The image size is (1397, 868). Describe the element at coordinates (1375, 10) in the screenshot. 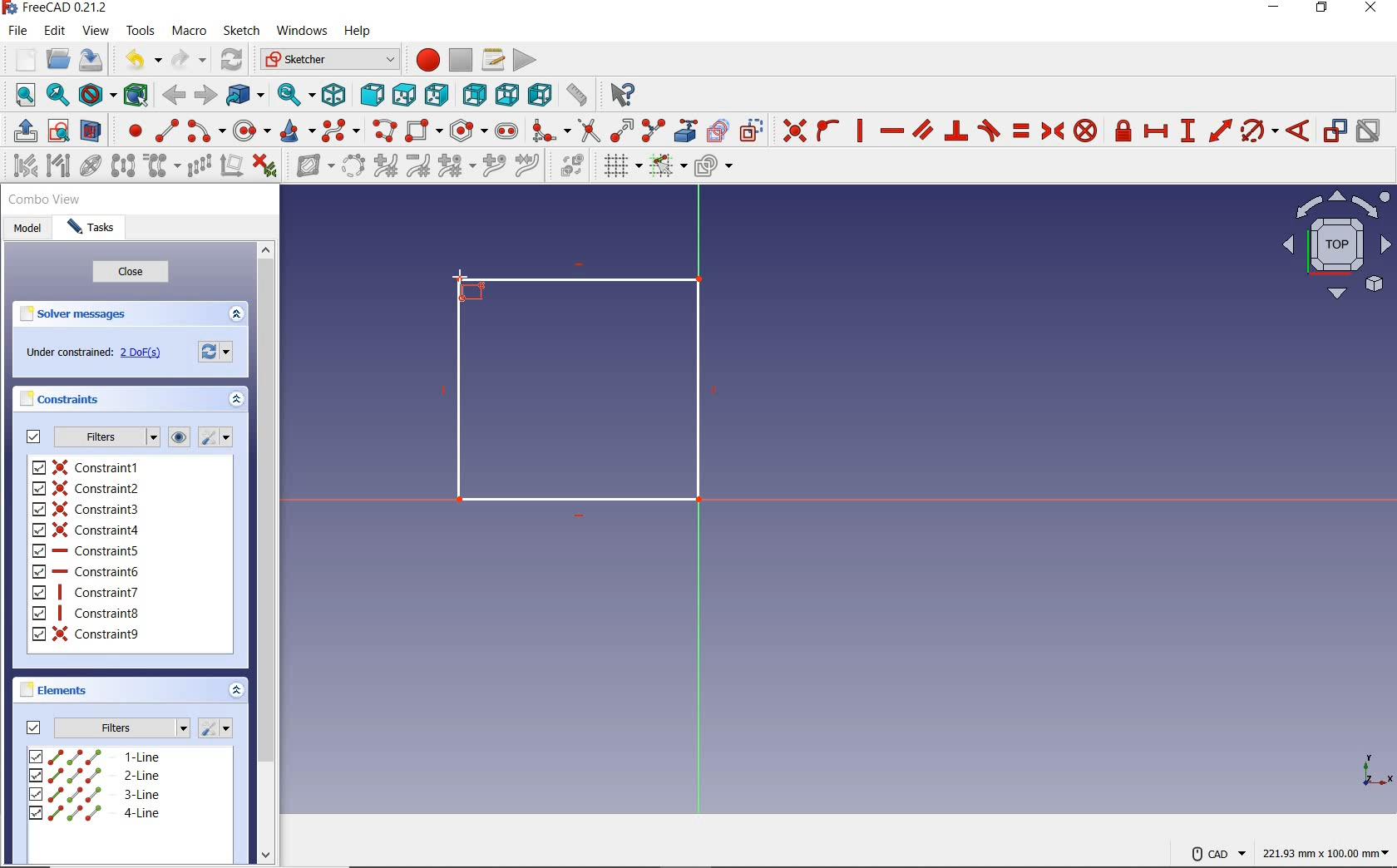

I see `close` at that location.